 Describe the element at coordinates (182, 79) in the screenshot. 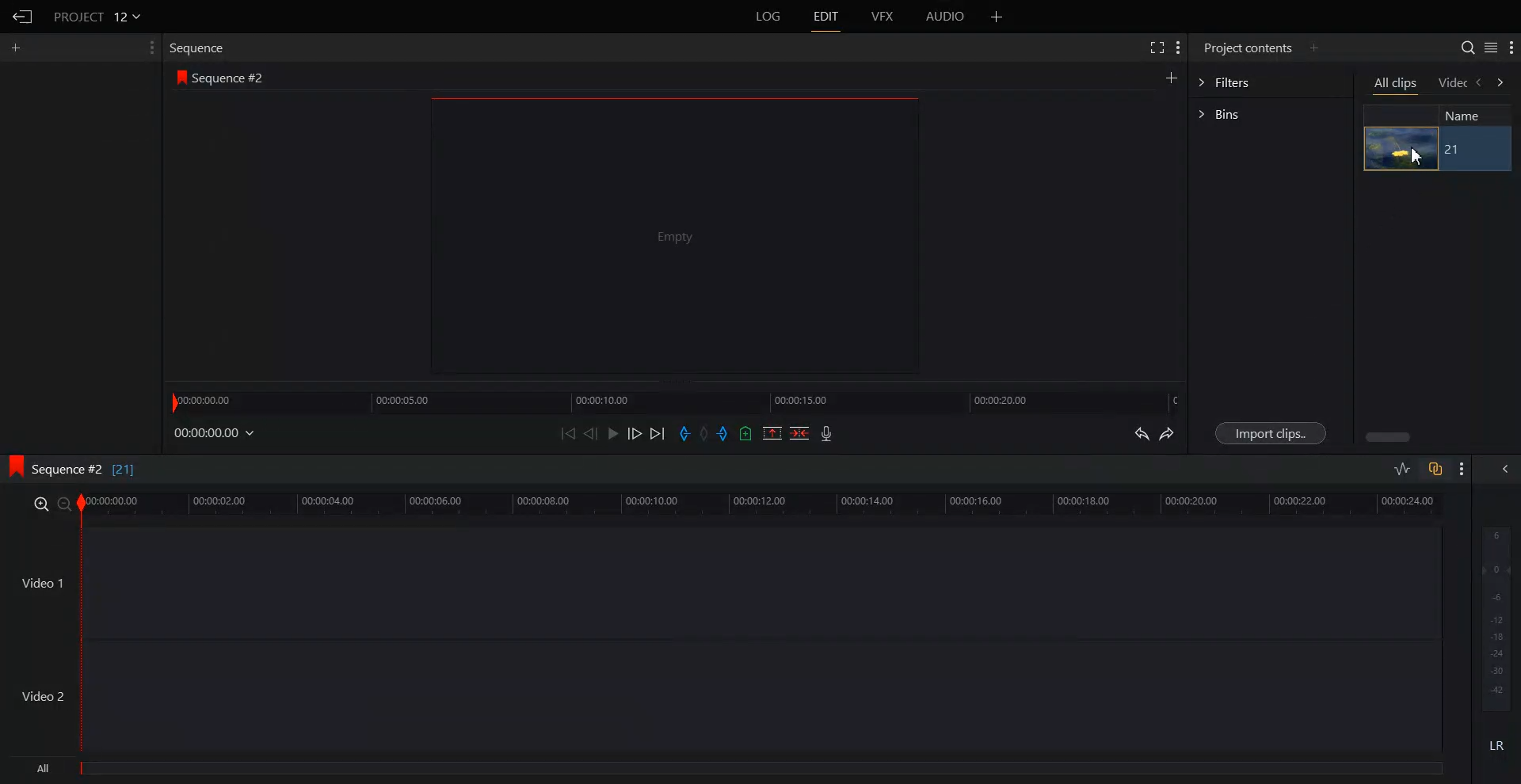

I see `icon` at that location.